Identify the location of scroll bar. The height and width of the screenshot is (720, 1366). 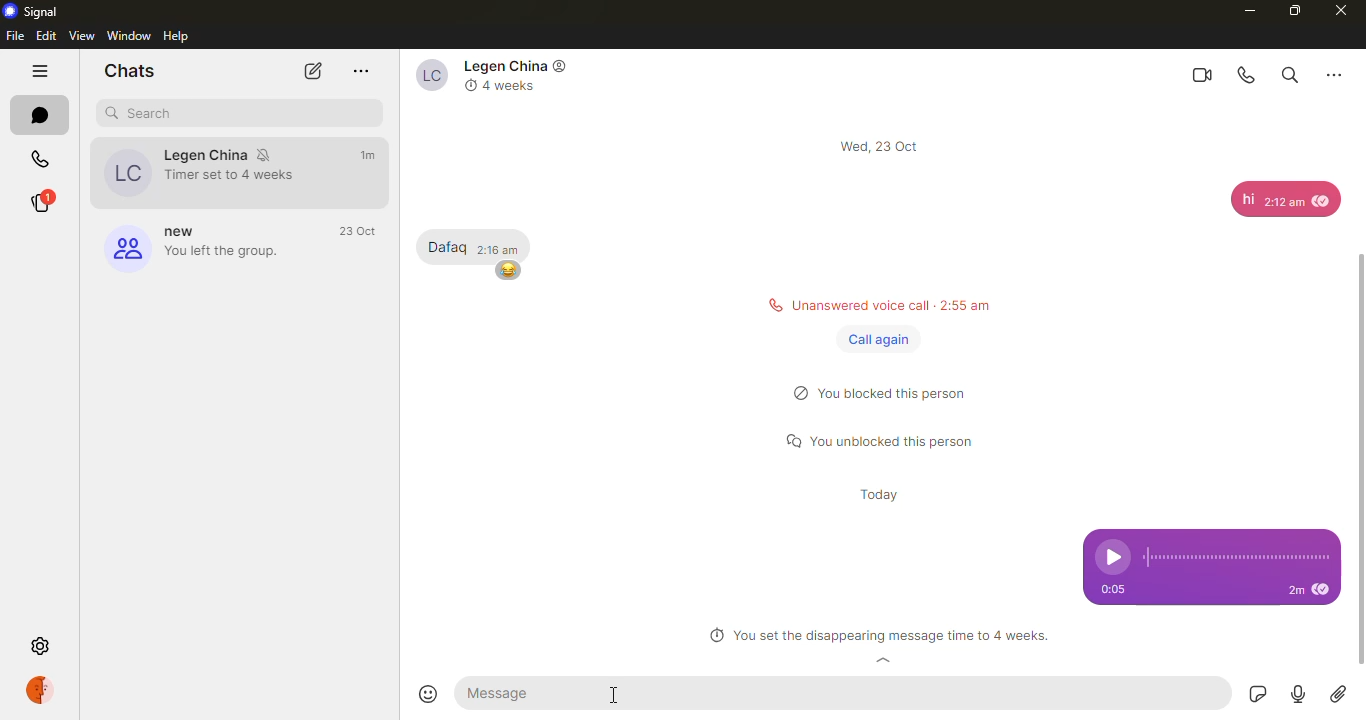
(1365, 436).